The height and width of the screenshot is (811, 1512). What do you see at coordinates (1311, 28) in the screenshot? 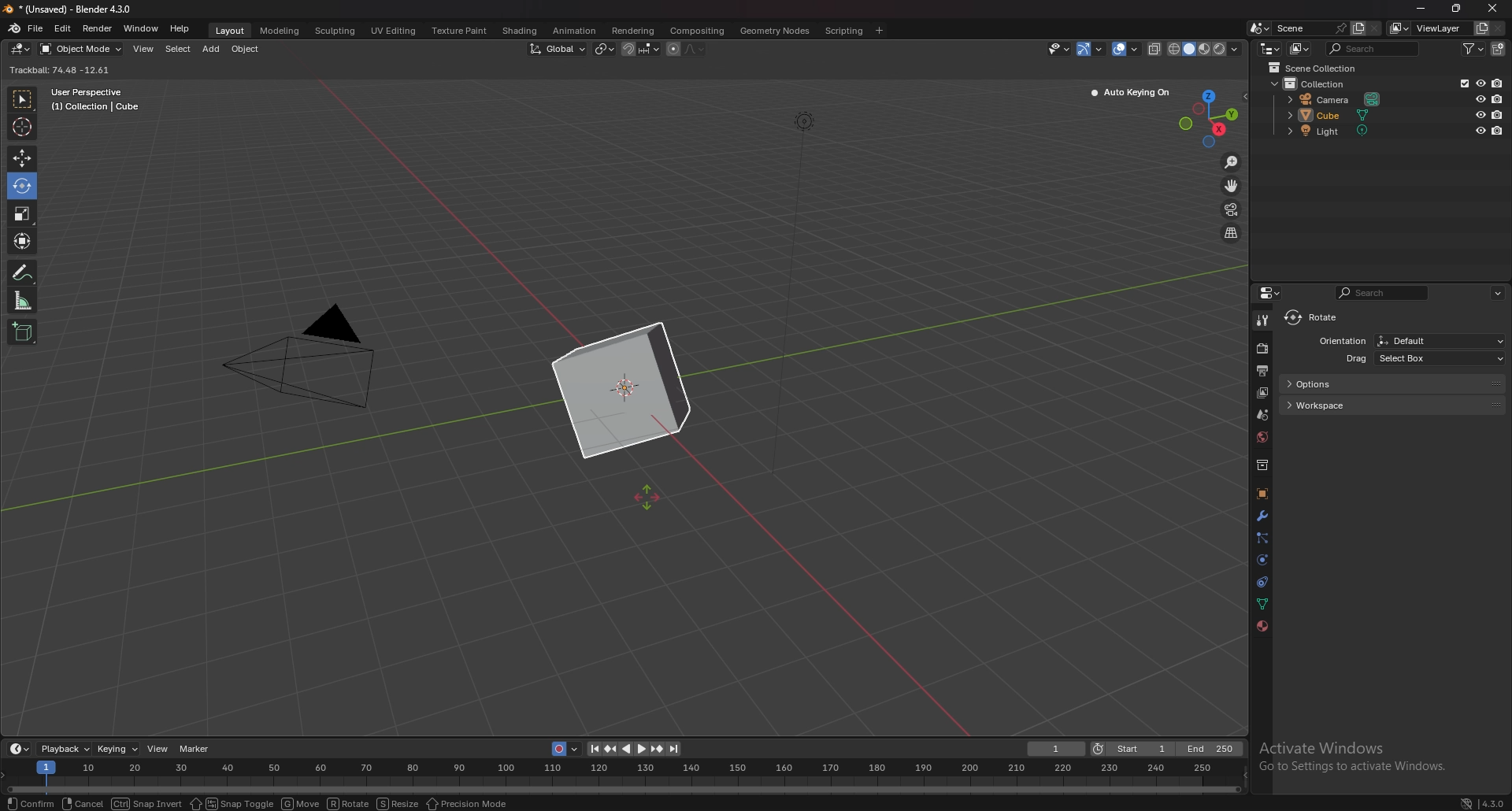
I see `scene` at bounding box center [1311, 28].